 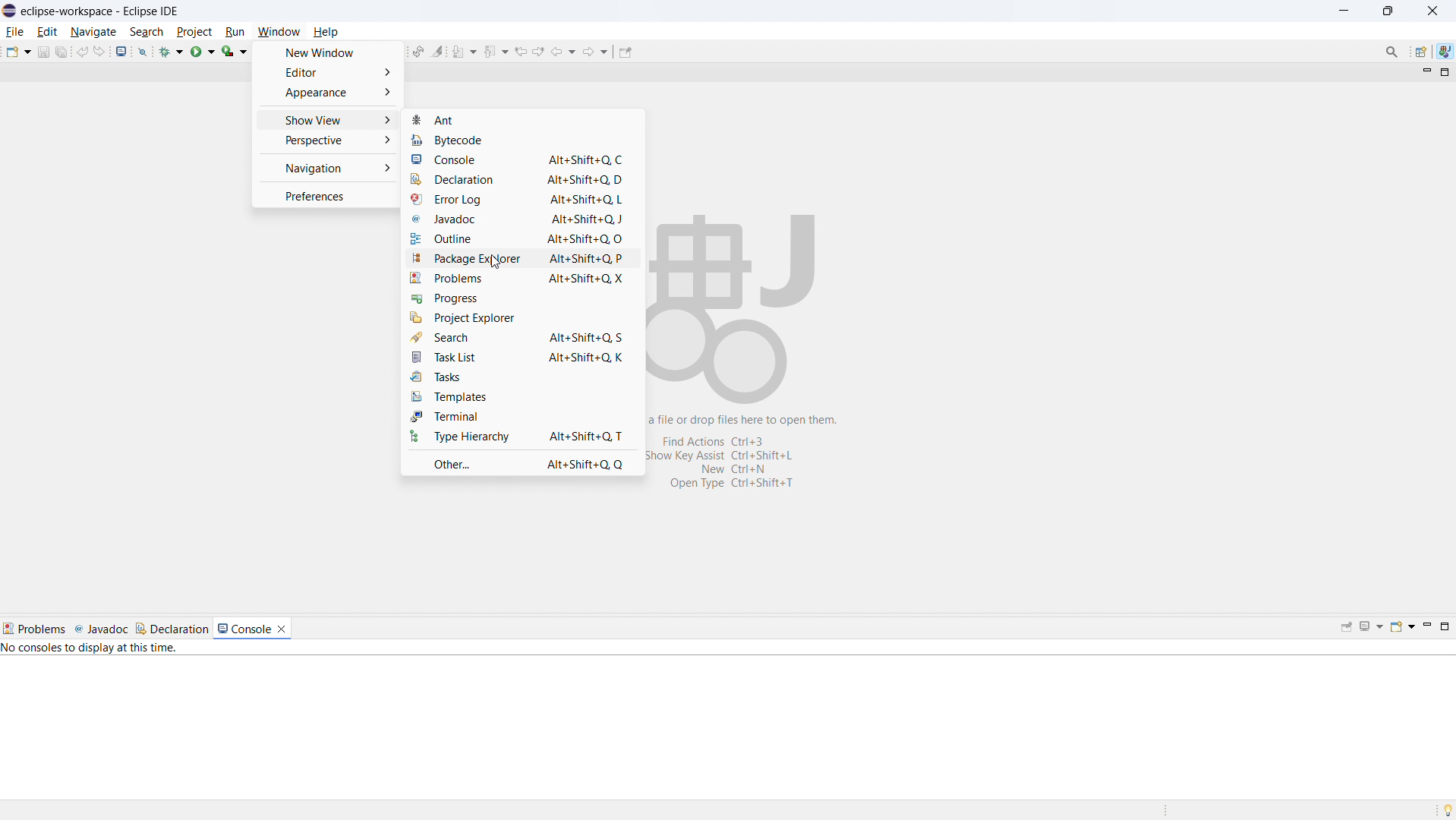 What do you see at coordinates (101, 629) in the screenshot?
I see `javadoc` at bounding box center [101, 629].